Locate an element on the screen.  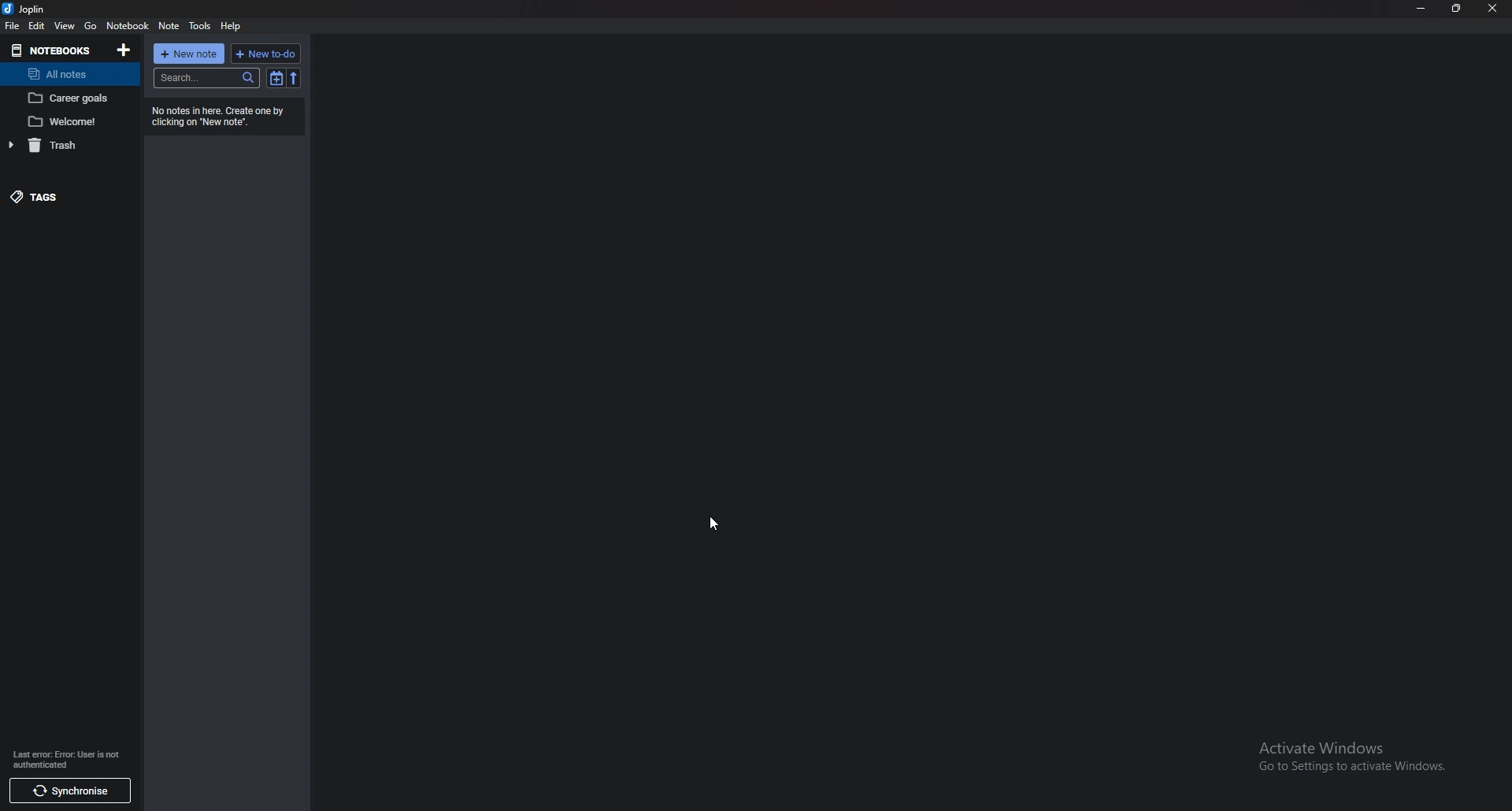
file is located at coordinates (11, 26).